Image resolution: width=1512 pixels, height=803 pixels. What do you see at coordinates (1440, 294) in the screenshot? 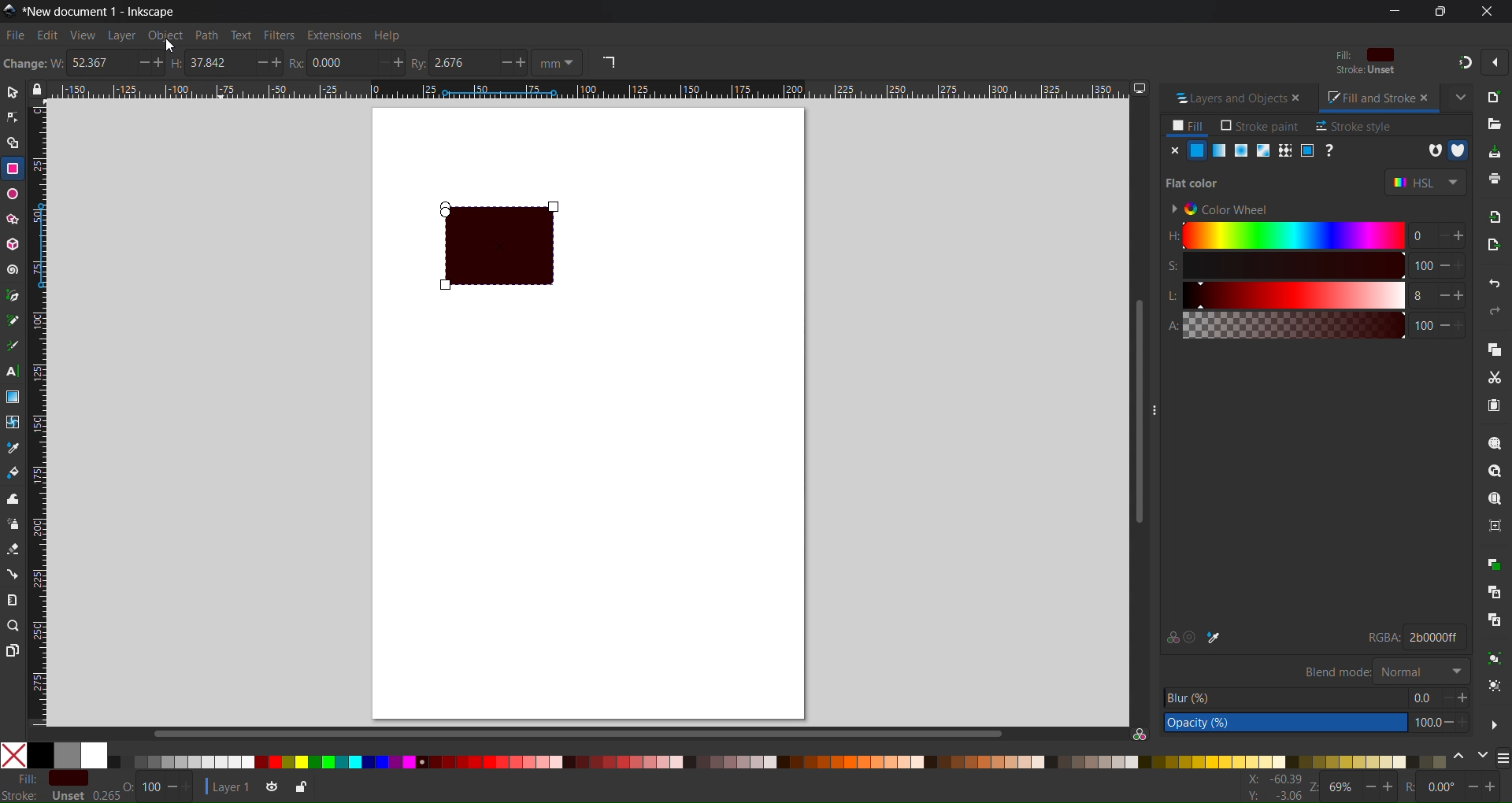
I see `decrease lightness` at bounding box center [1440, 294].